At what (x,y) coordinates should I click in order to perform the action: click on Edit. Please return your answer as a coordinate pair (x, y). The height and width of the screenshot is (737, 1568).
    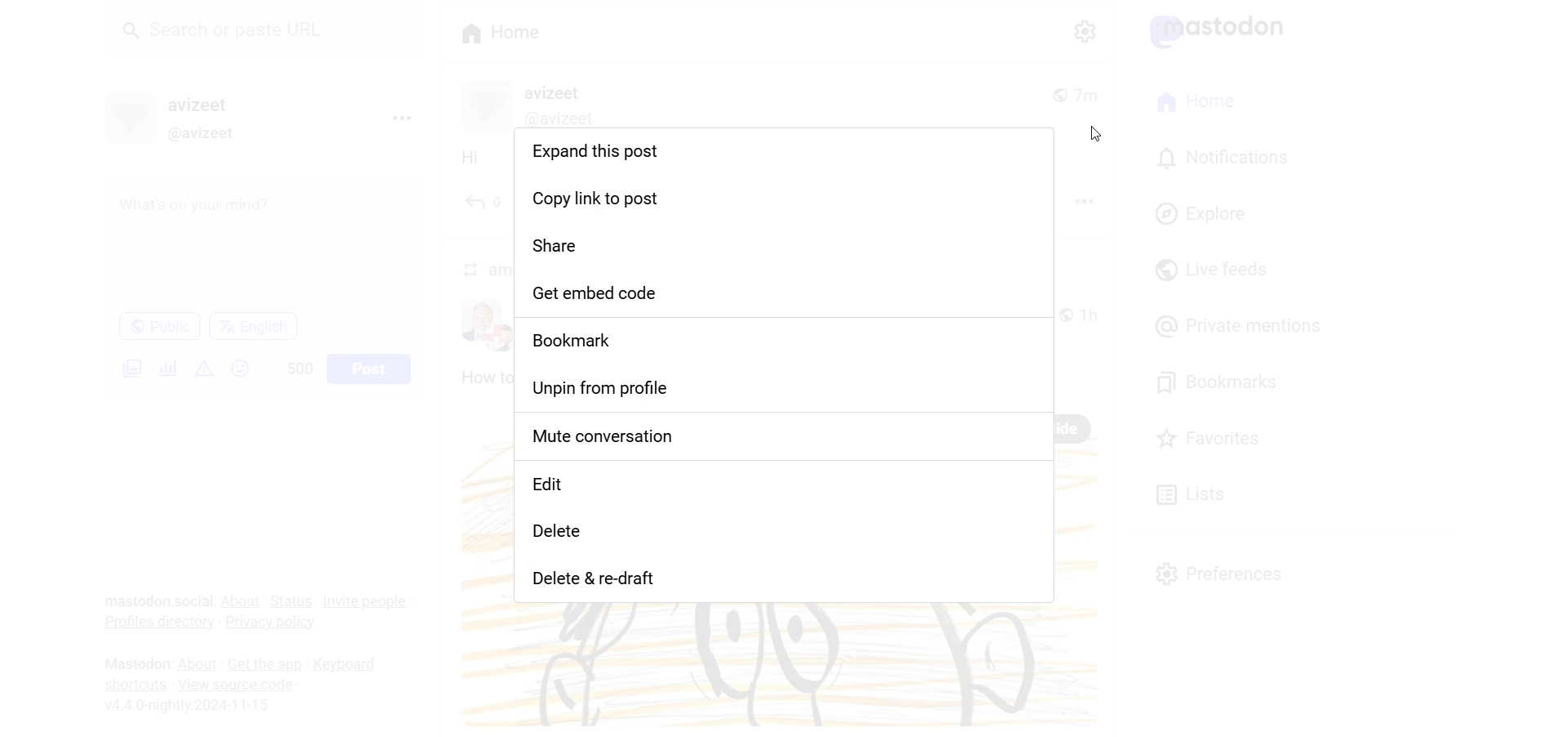
    Looking at the image, I should click on (787, 489).